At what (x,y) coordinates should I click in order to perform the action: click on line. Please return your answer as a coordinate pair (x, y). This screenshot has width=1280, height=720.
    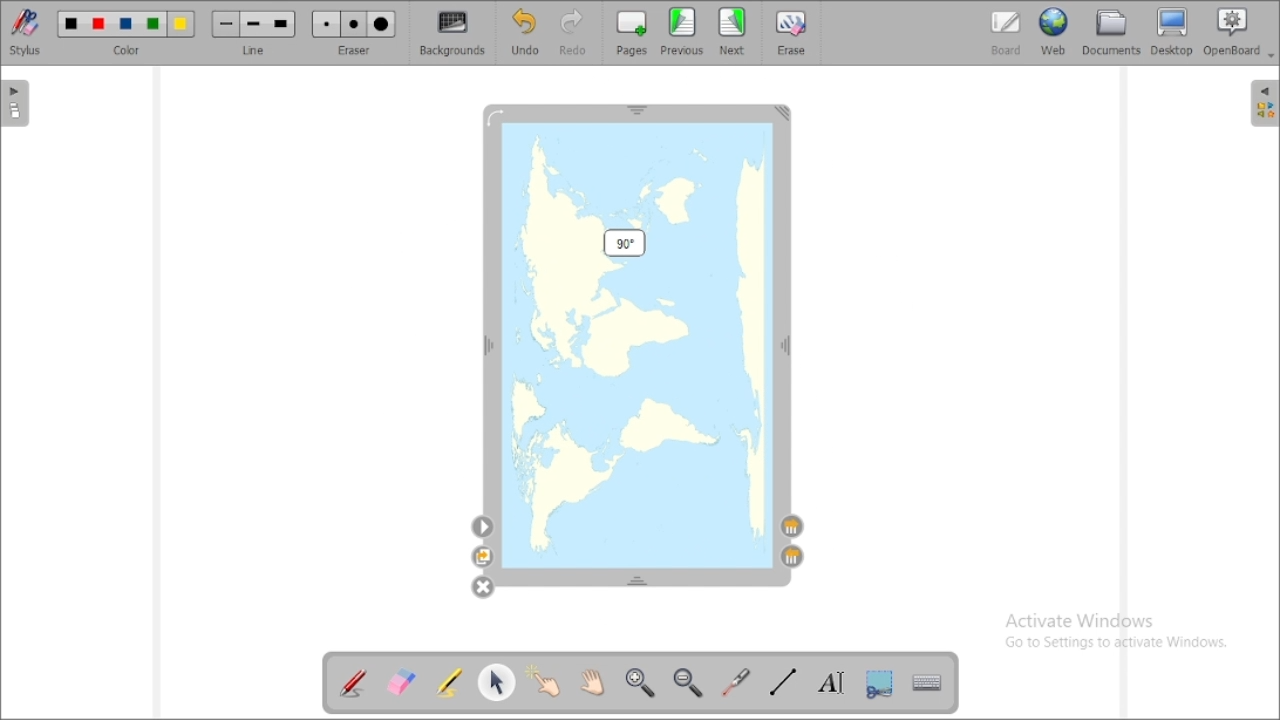
    Looking at the image, I should click on (254, 33).